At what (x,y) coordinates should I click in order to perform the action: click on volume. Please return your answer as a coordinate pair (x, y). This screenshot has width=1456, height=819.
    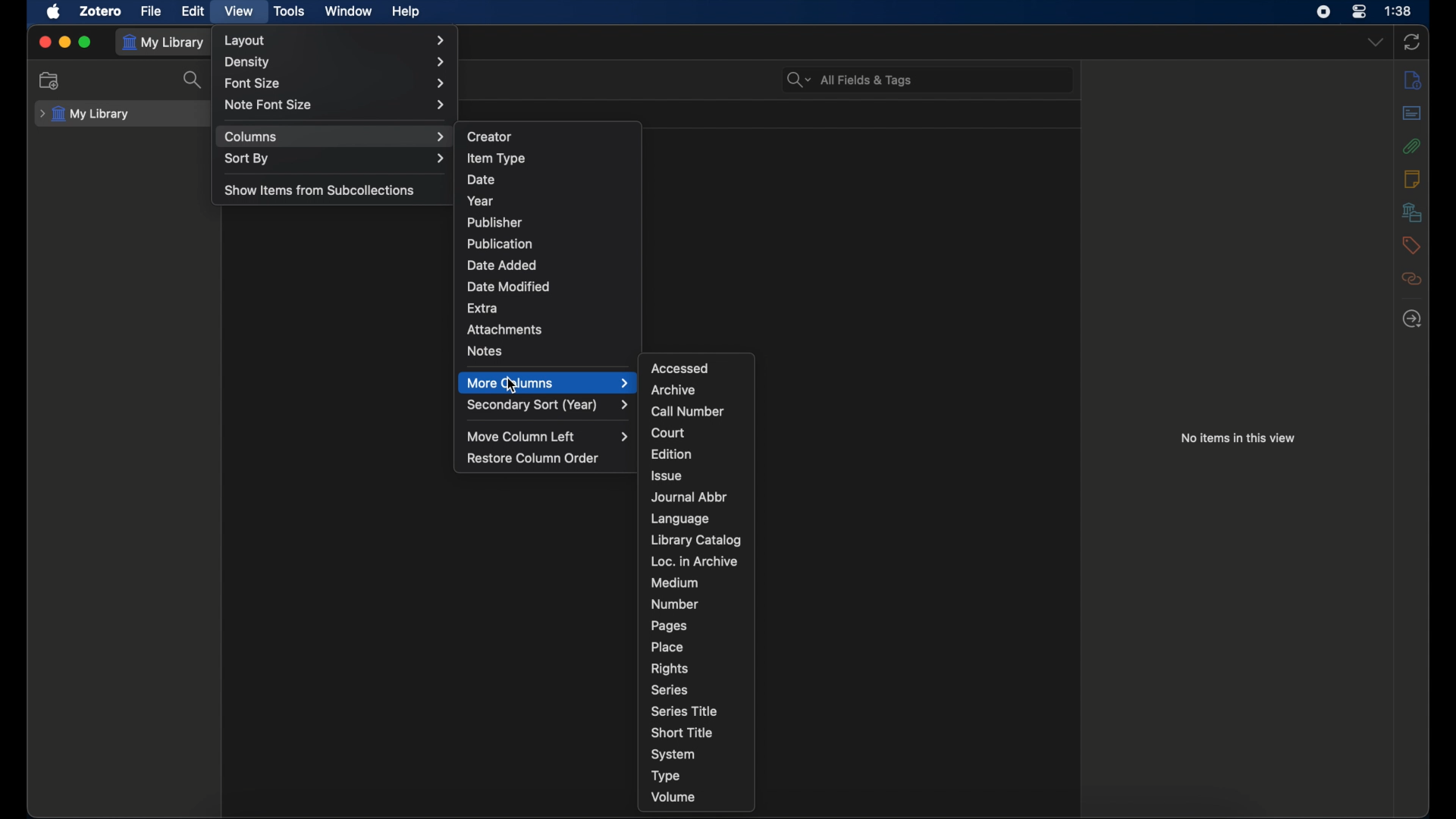
    Looking at the image, I should click on (675, 797).